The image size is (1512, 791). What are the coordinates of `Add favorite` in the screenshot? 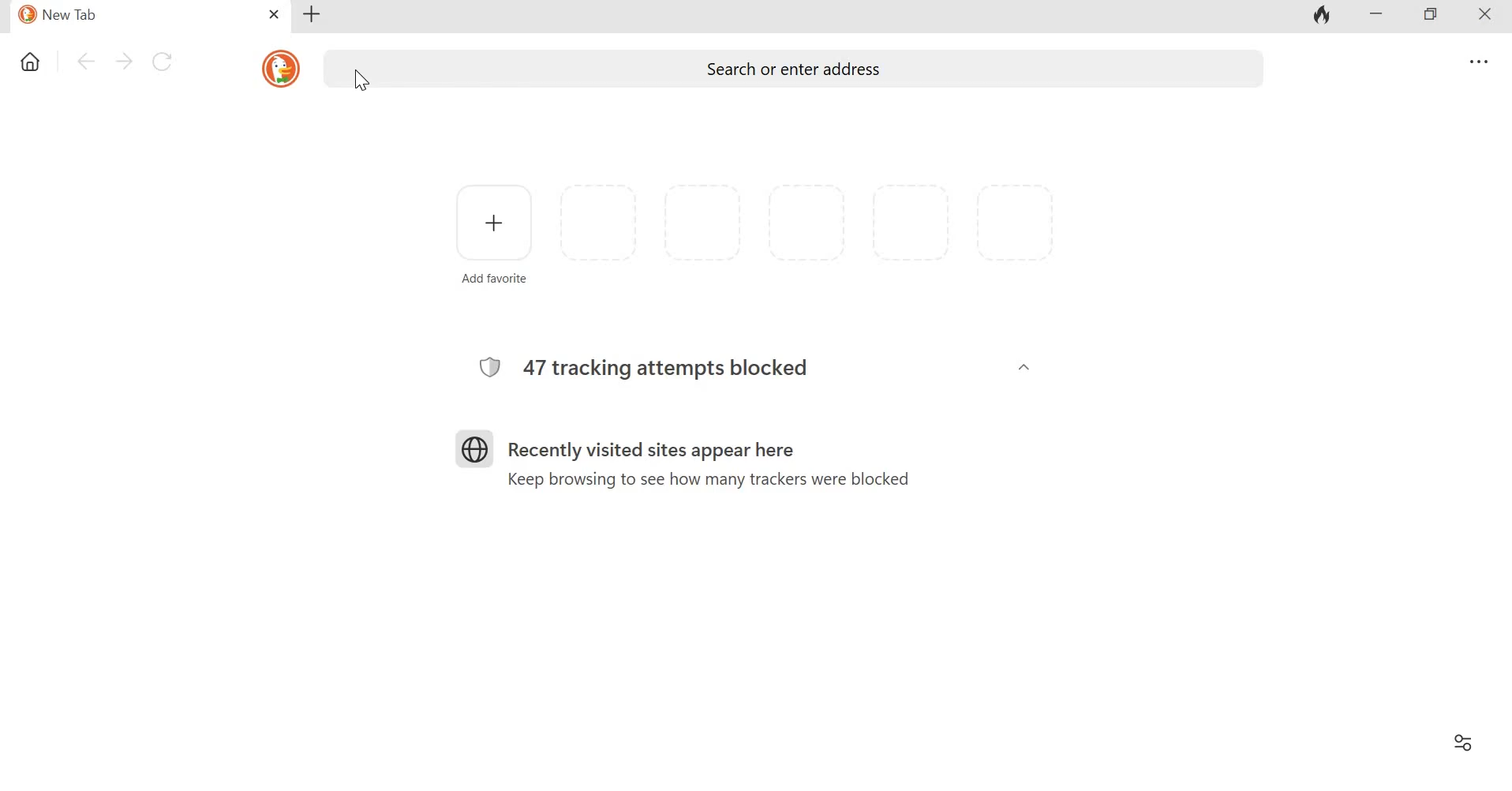 It's located at (489, 235).